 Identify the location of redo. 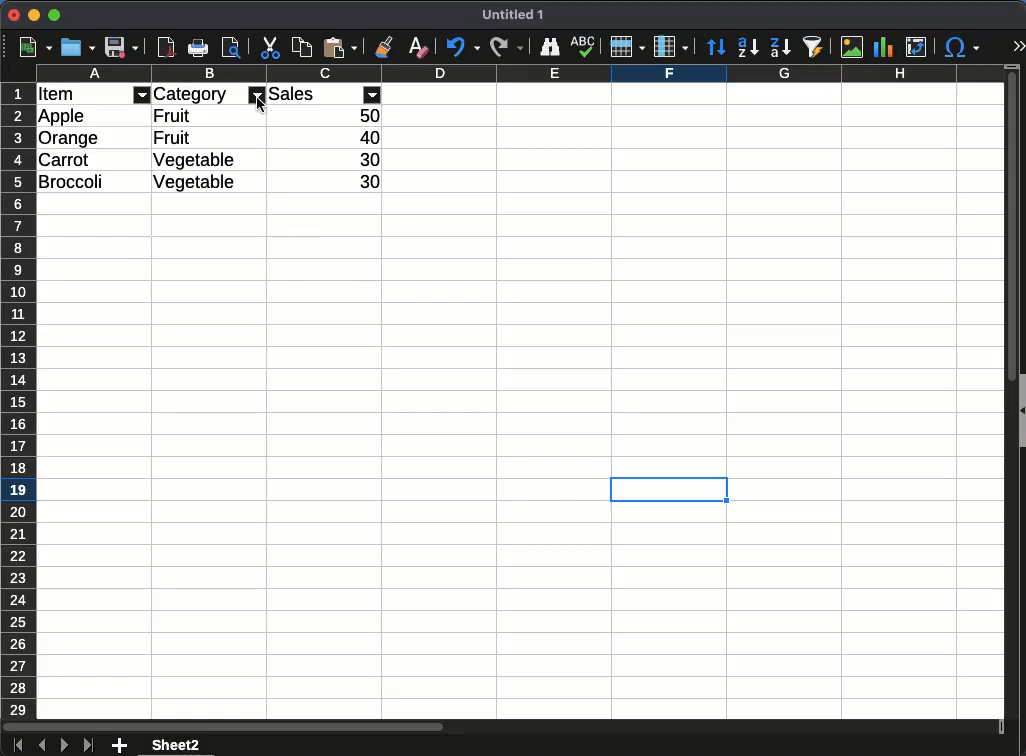
(506, 48).